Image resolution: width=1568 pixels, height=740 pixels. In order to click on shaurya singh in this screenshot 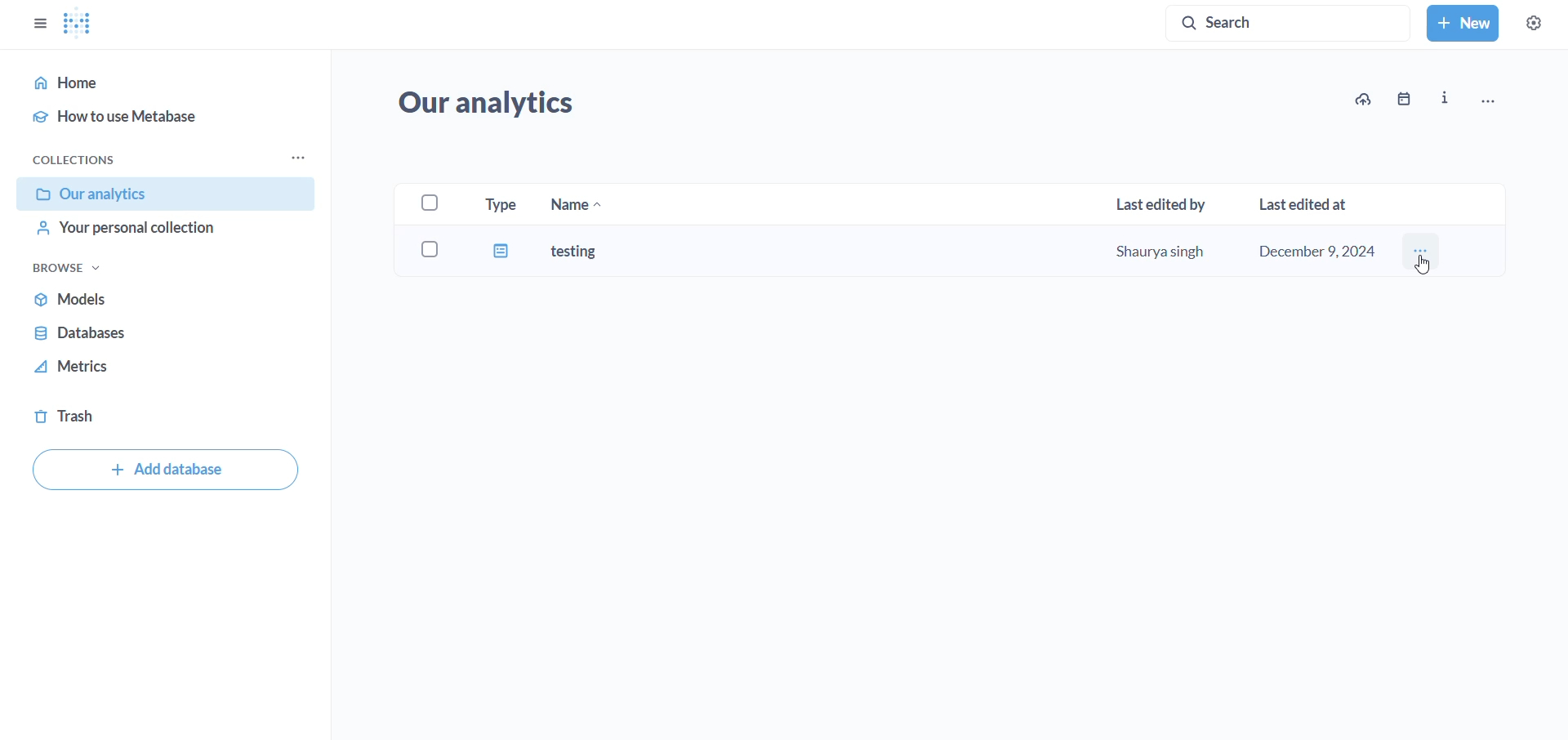, I will do `click(1154, 253)`.